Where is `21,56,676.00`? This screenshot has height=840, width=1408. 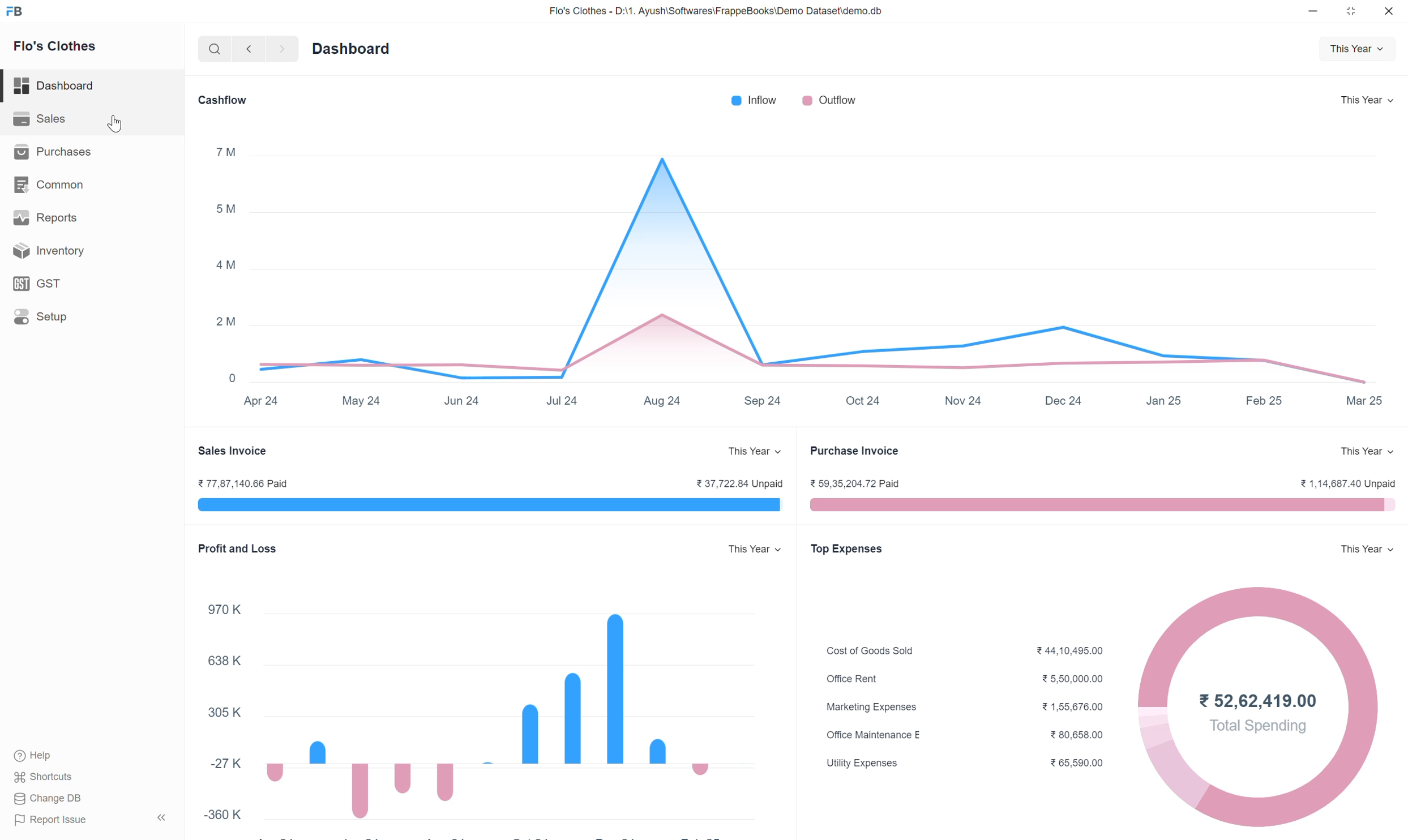 21,56,676.00 is located at coordinates (1074, 706).